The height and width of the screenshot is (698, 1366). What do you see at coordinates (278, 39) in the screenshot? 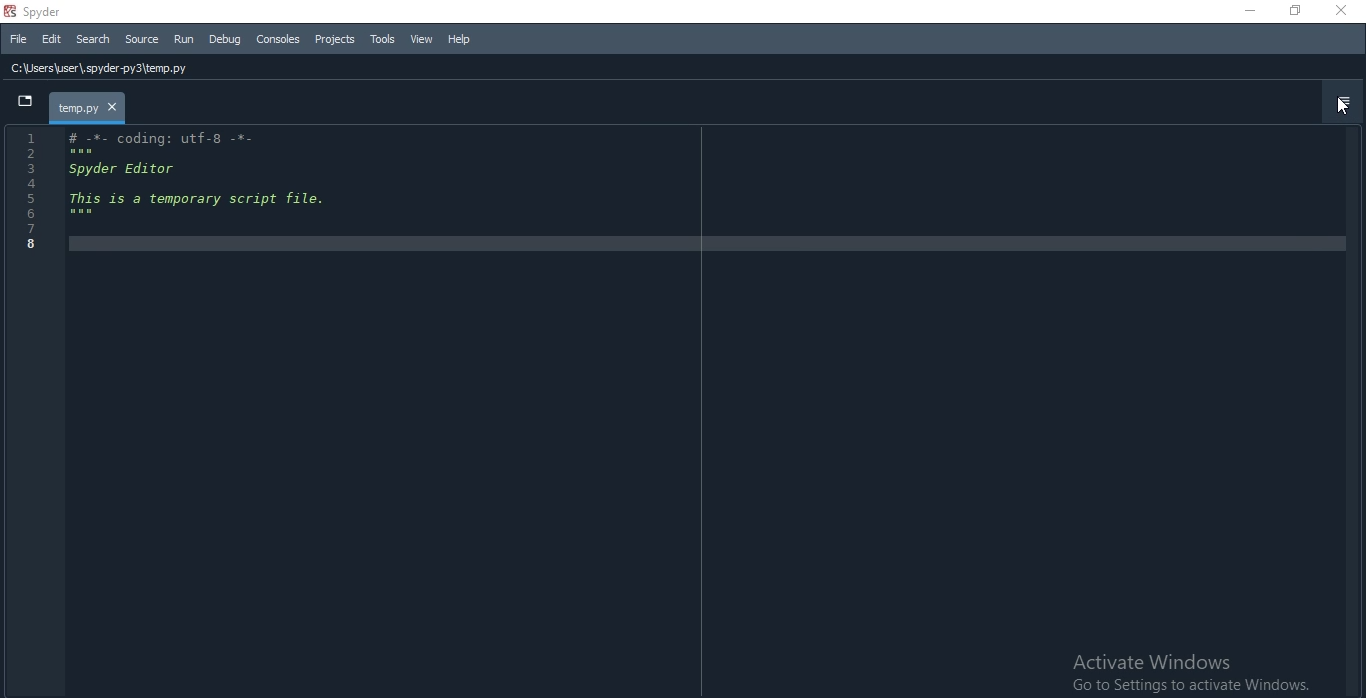
I see `Consoles` at bounding box center [278, 39].